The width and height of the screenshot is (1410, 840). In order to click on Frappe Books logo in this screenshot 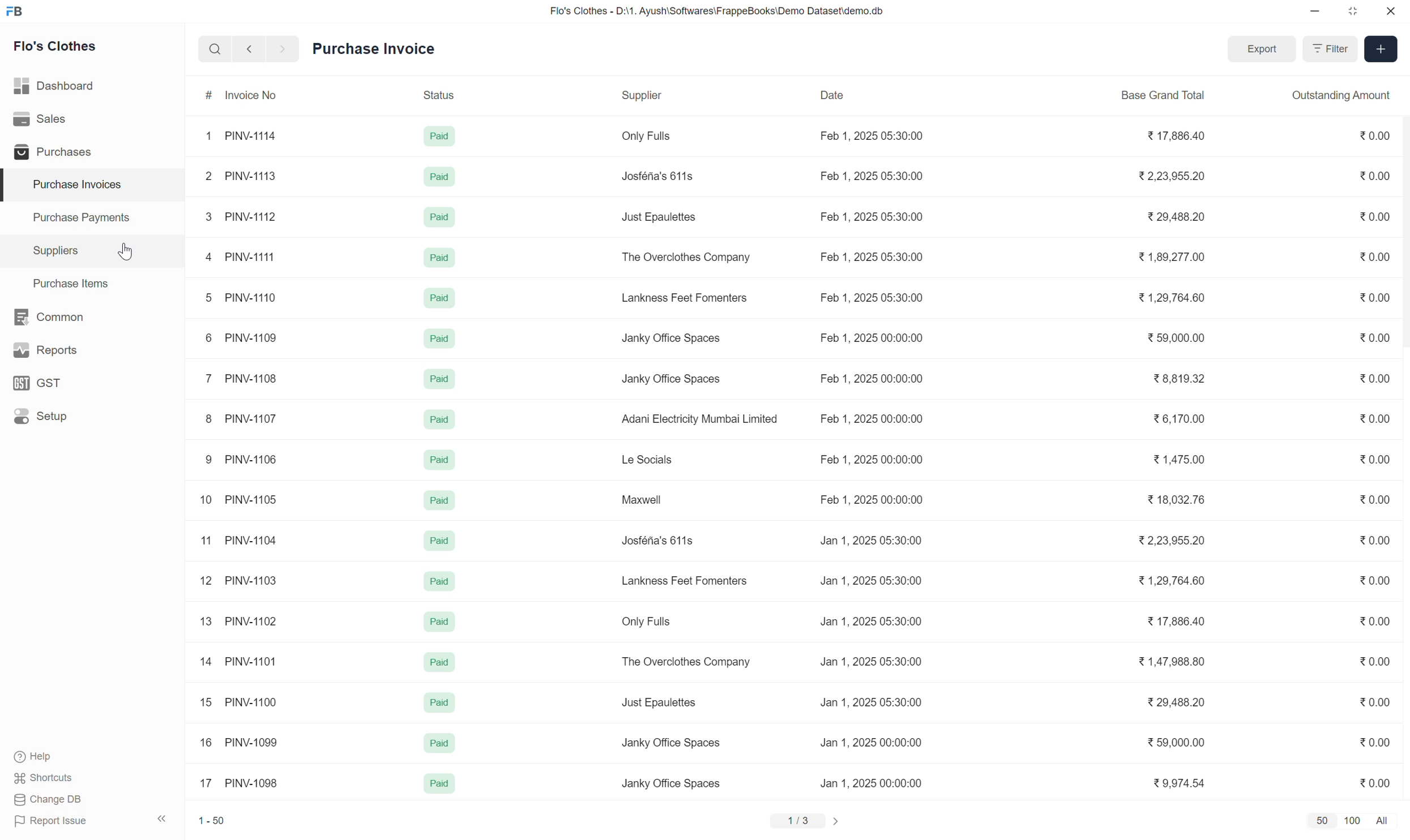, I will do `click(14, 11)`.